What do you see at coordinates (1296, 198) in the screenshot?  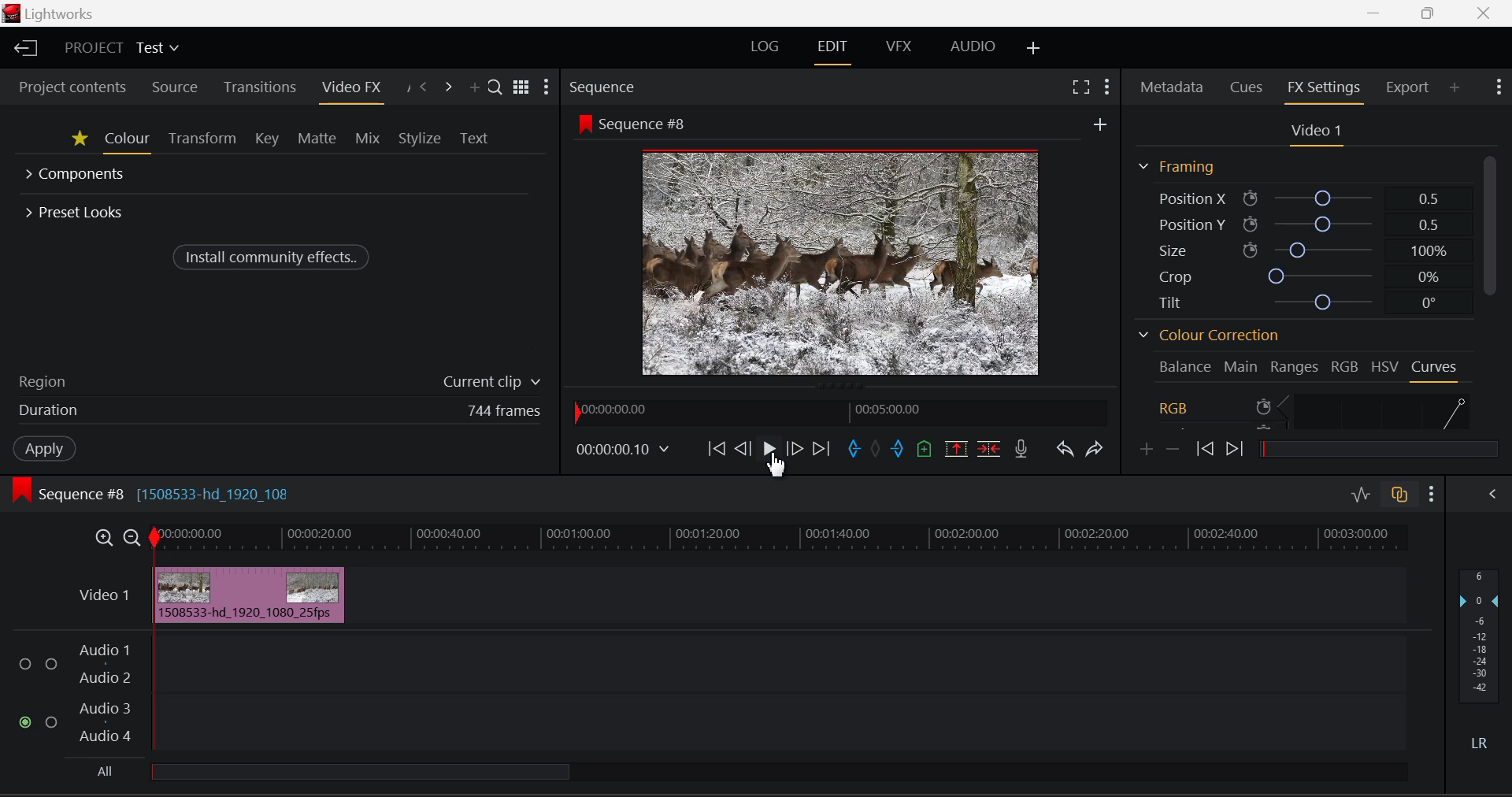 I see `Position X` at bounding box center [1296, 198].